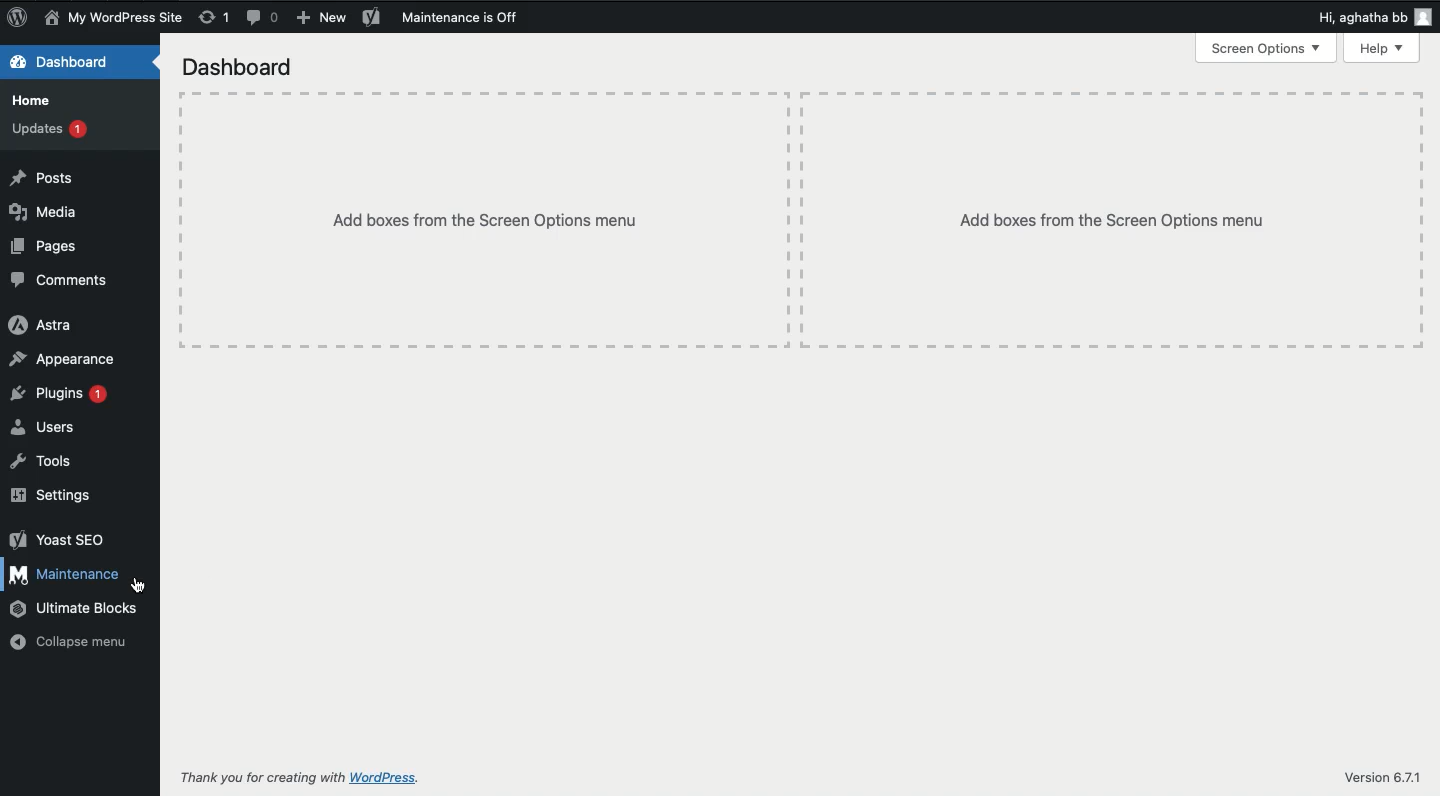 The height and width of the screenshot is (796, 1440). I want to click on Updates, so click(49, 129).